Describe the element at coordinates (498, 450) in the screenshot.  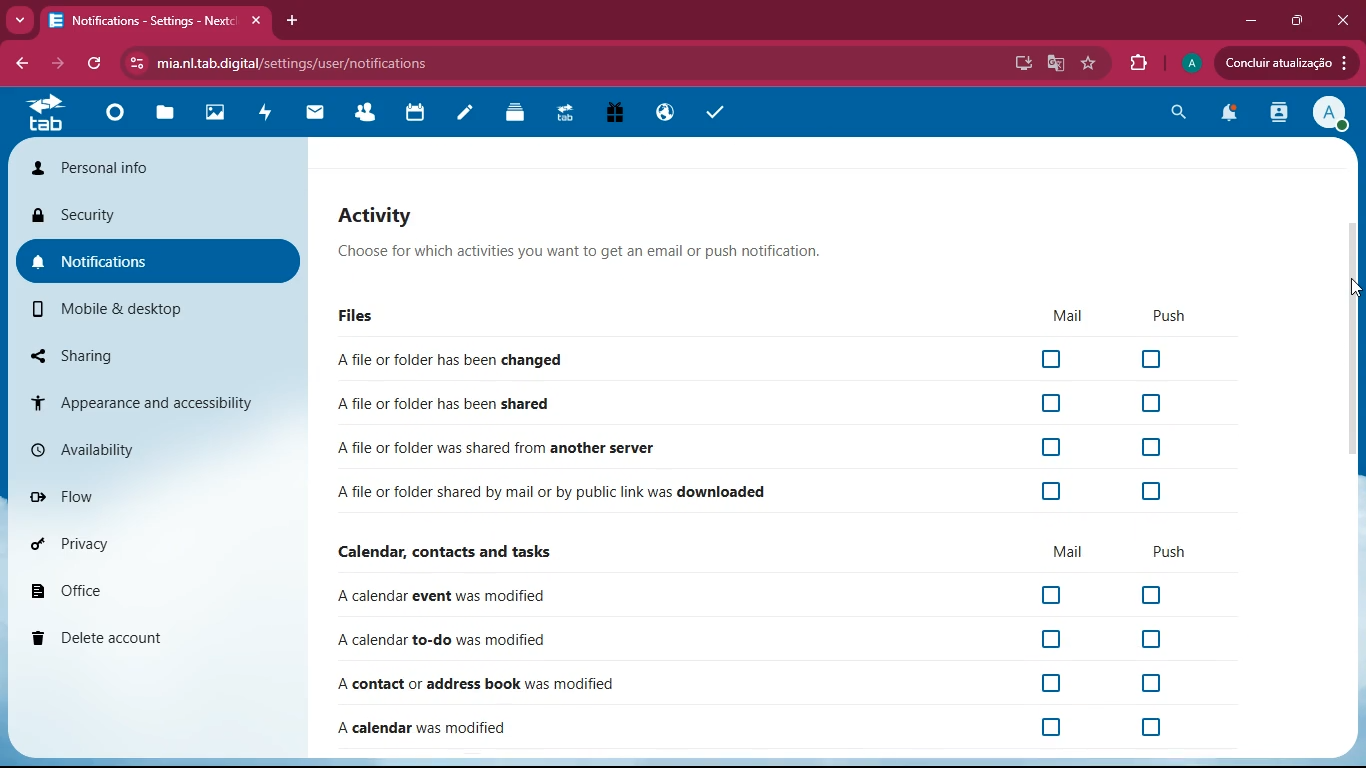
I see `A file or folder was shared from another server` at that location.